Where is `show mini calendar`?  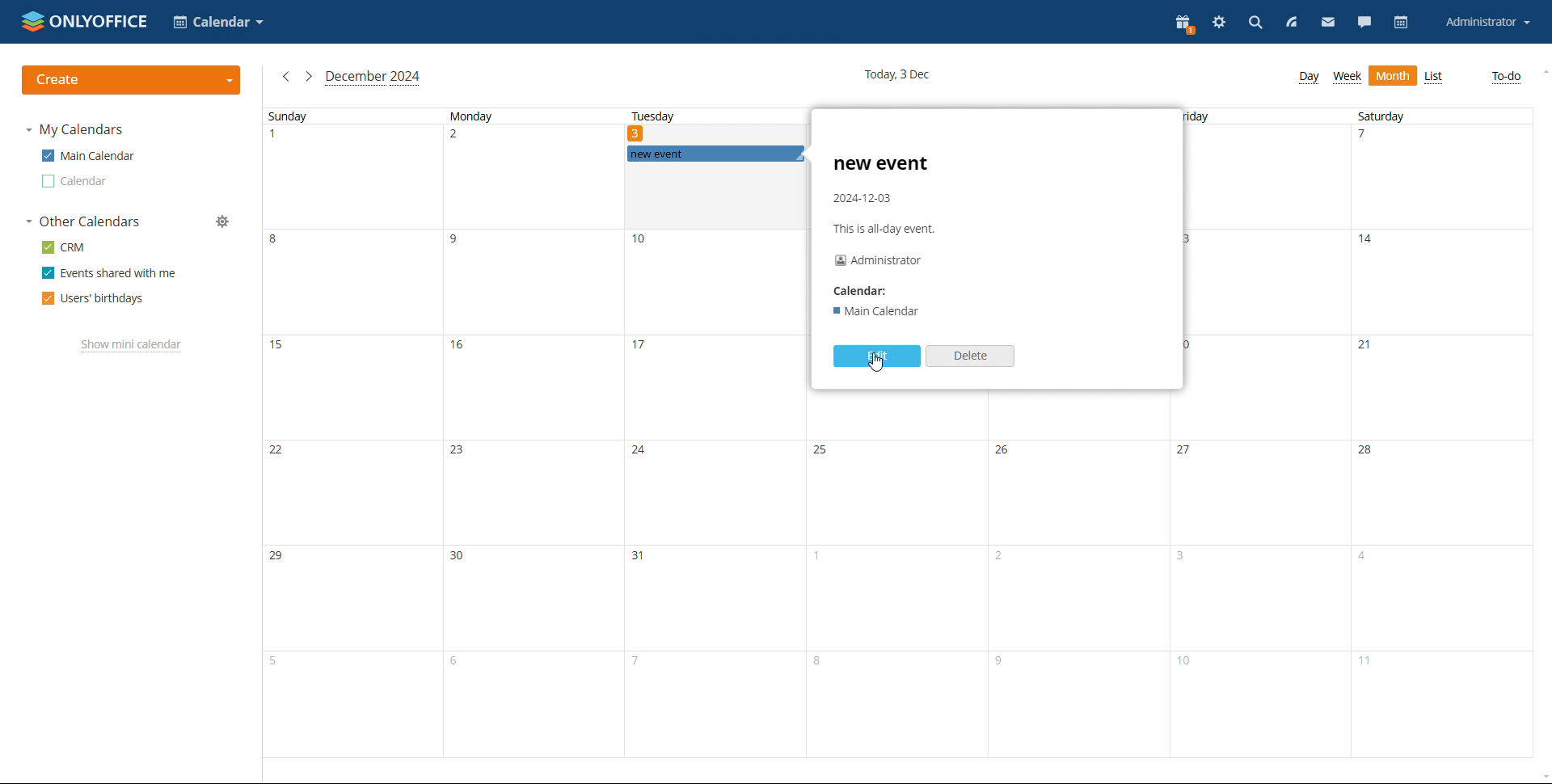 show mini calendar is located at coordinates (132, 346).